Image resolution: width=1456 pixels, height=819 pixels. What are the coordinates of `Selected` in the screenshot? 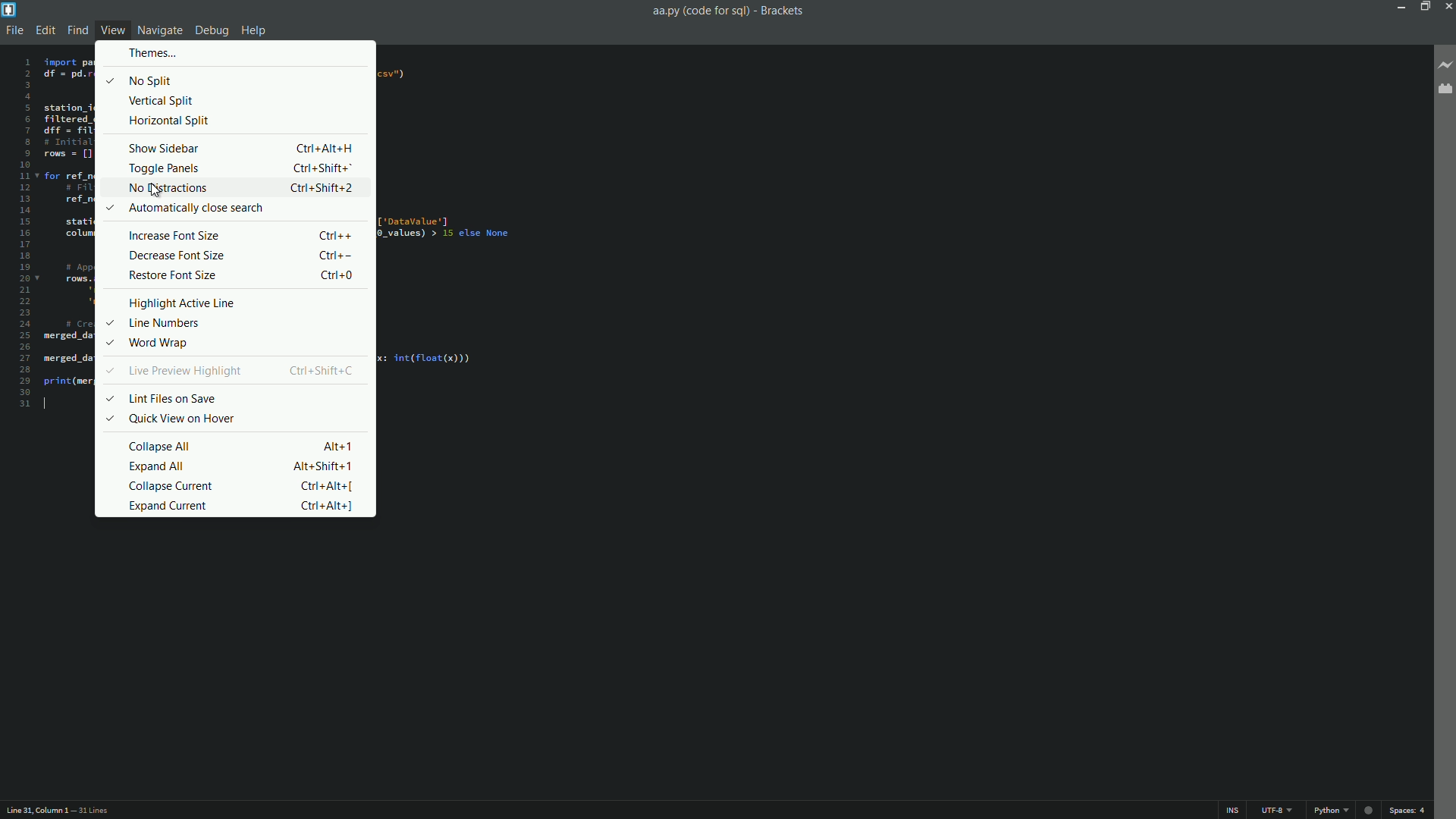 It's located at (109, 322).